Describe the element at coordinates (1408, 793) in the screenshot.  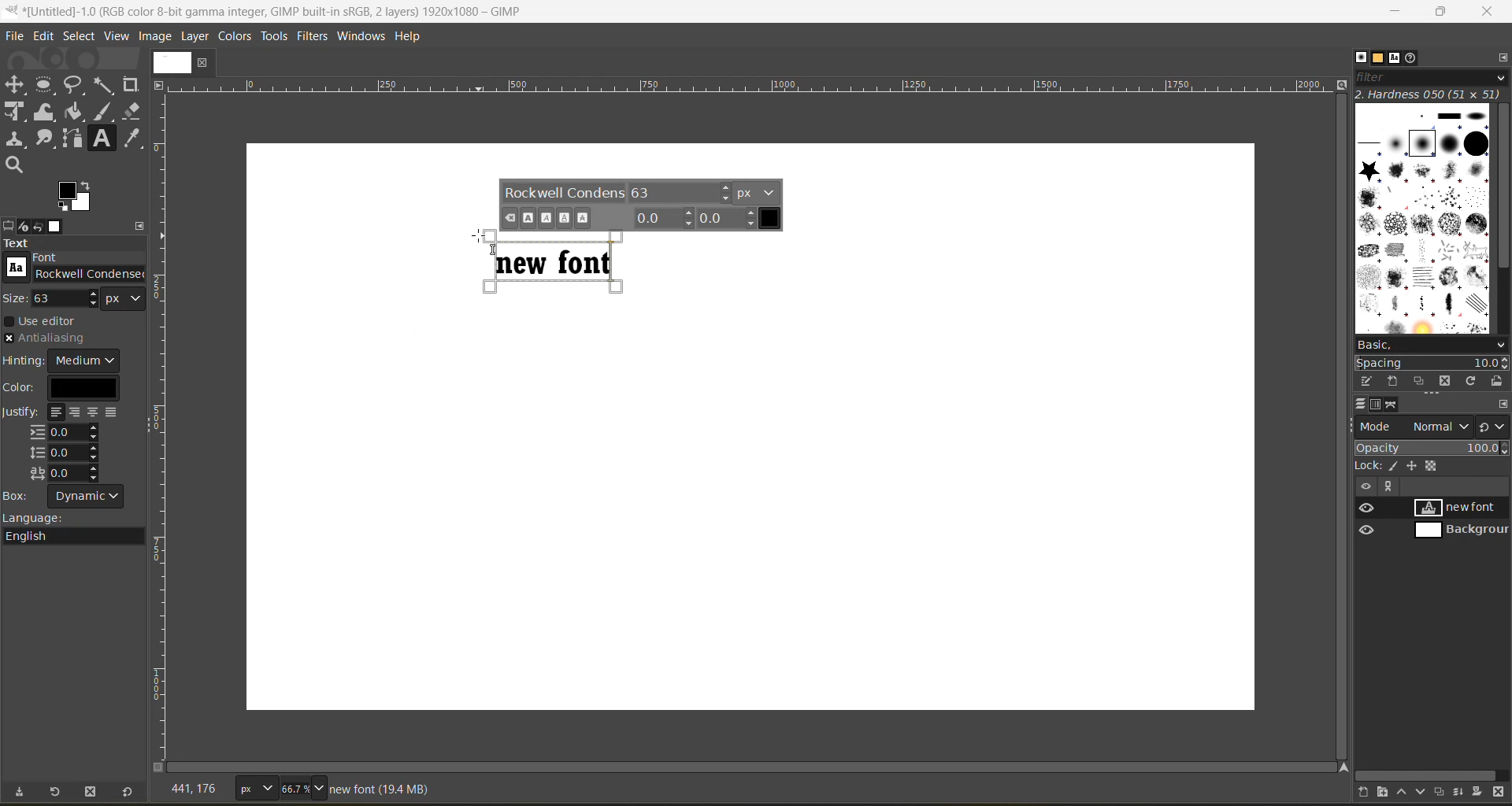
I see `raise this layer` at that location.